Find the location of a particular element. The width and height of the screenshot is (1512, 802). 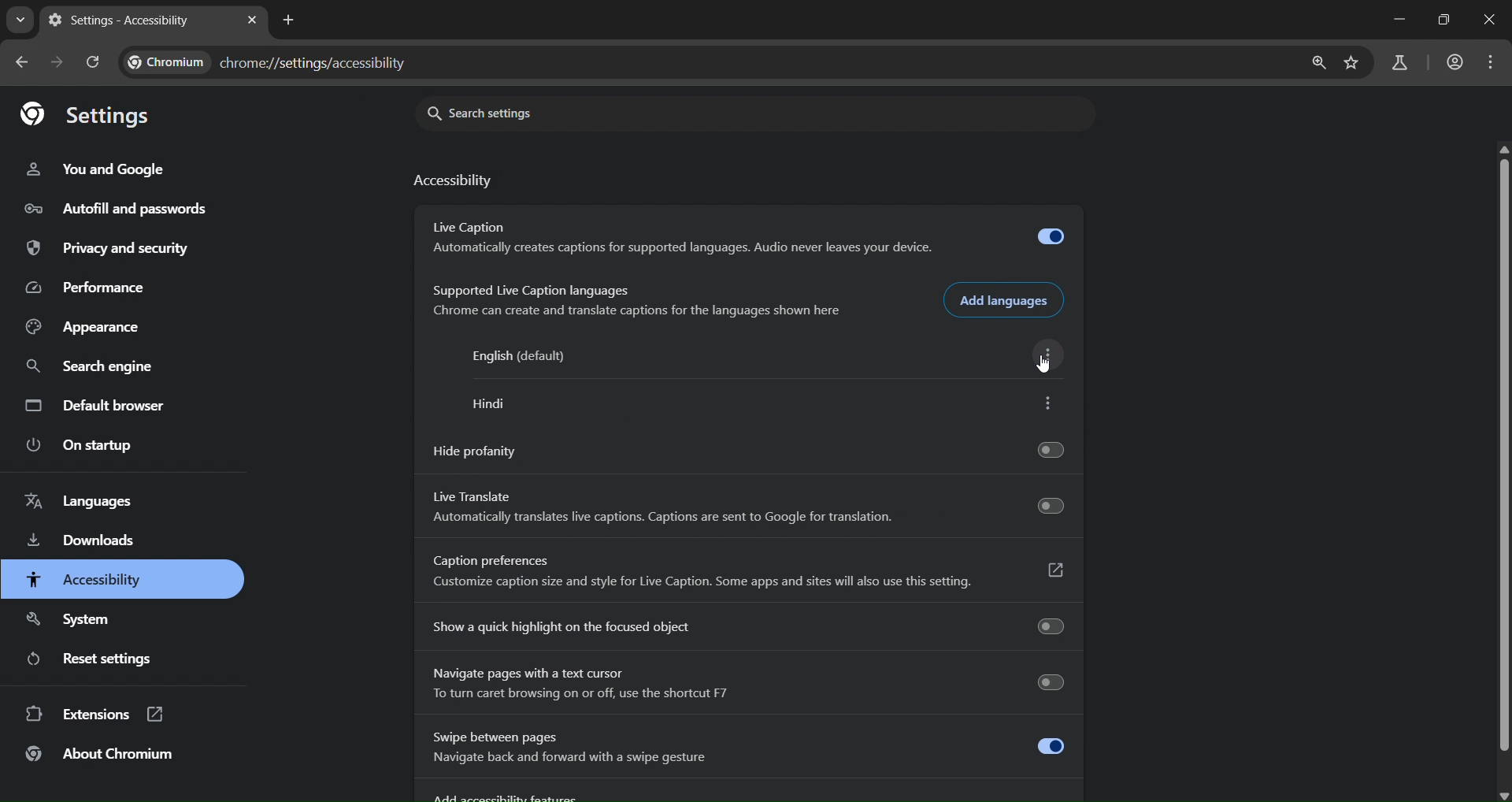

search labs is located at coordinates (1402, 62).